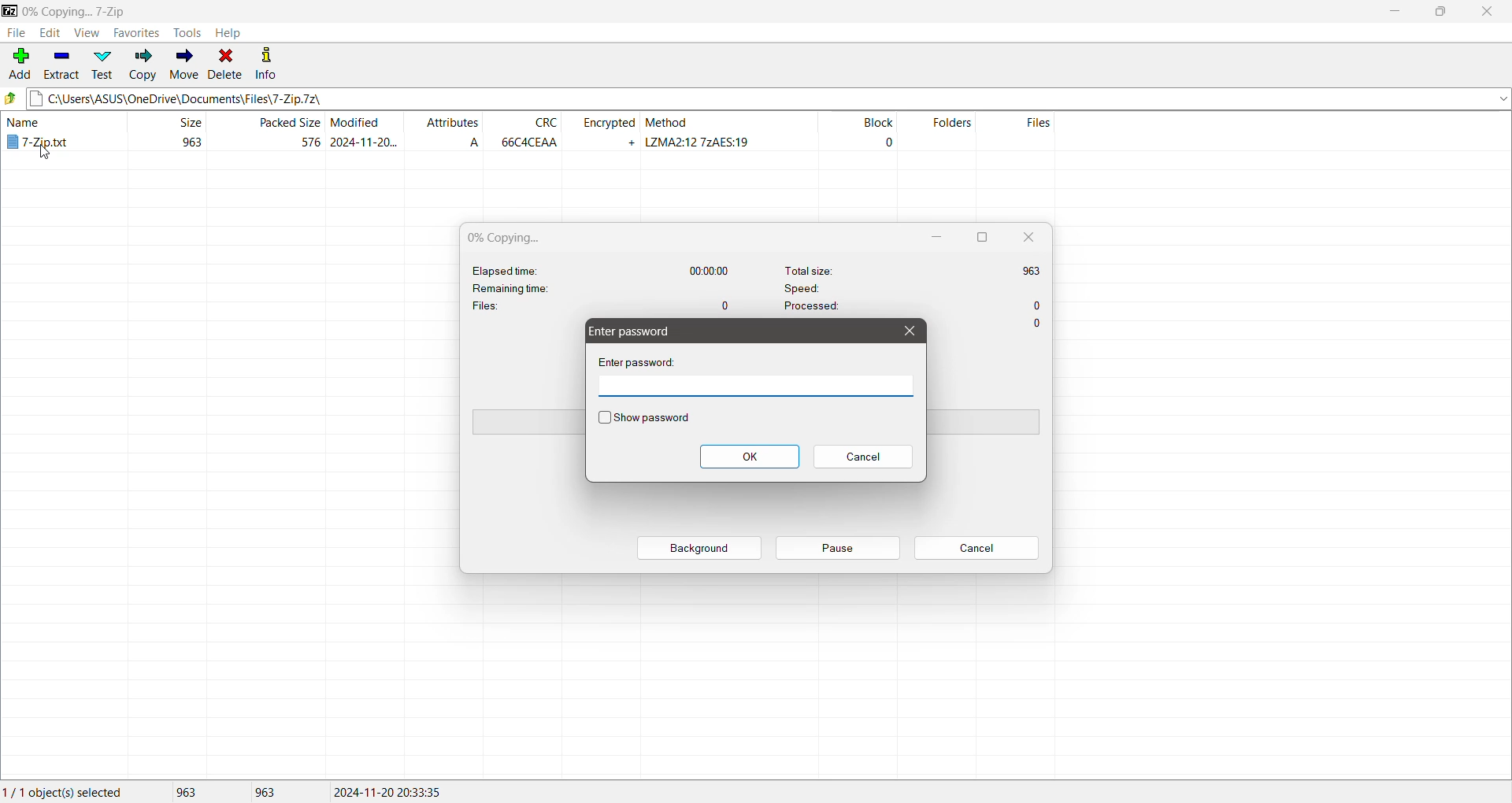 The width and height of the screenshot is (1512, 803). What do you see at coordinates (272, 792) in the screenshot?
I see `963` at bounding box center [272, 792].